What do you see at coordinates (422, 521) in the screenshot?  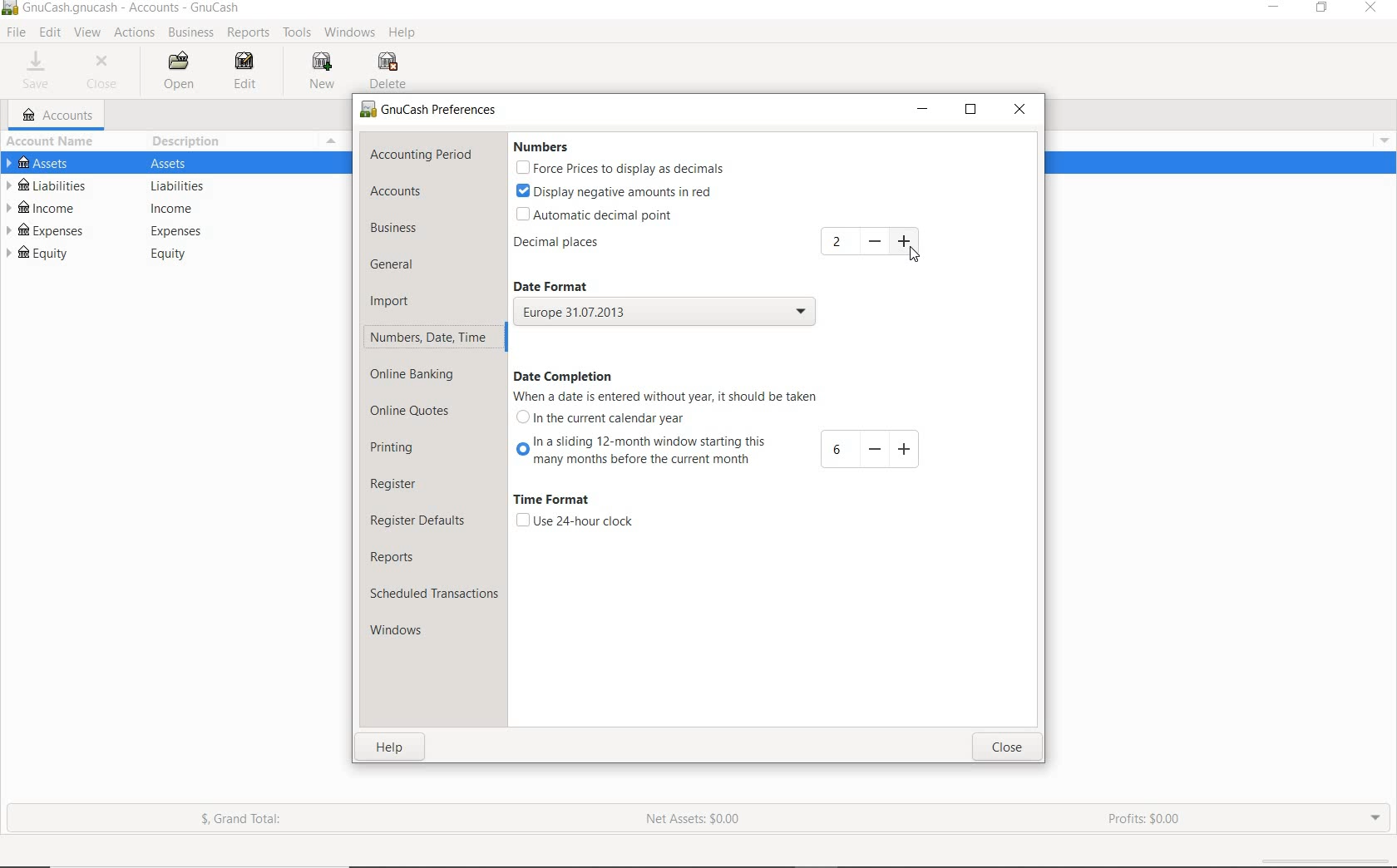 I see `register defaults` at bounding box center [422, 521].